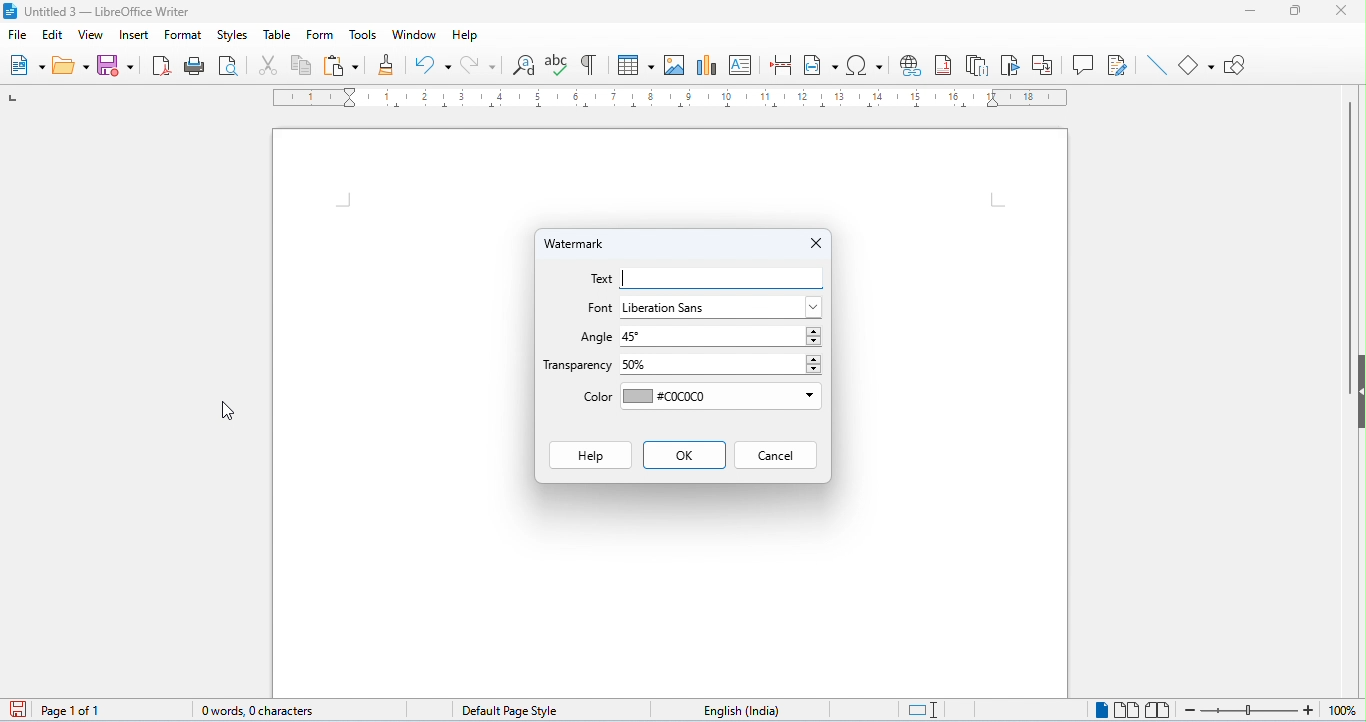 The image size is (1366, 722). What do you see at coordinates (1161, 710) in the screenshot?
I see `bookview` at bounding box center [1161, 710].